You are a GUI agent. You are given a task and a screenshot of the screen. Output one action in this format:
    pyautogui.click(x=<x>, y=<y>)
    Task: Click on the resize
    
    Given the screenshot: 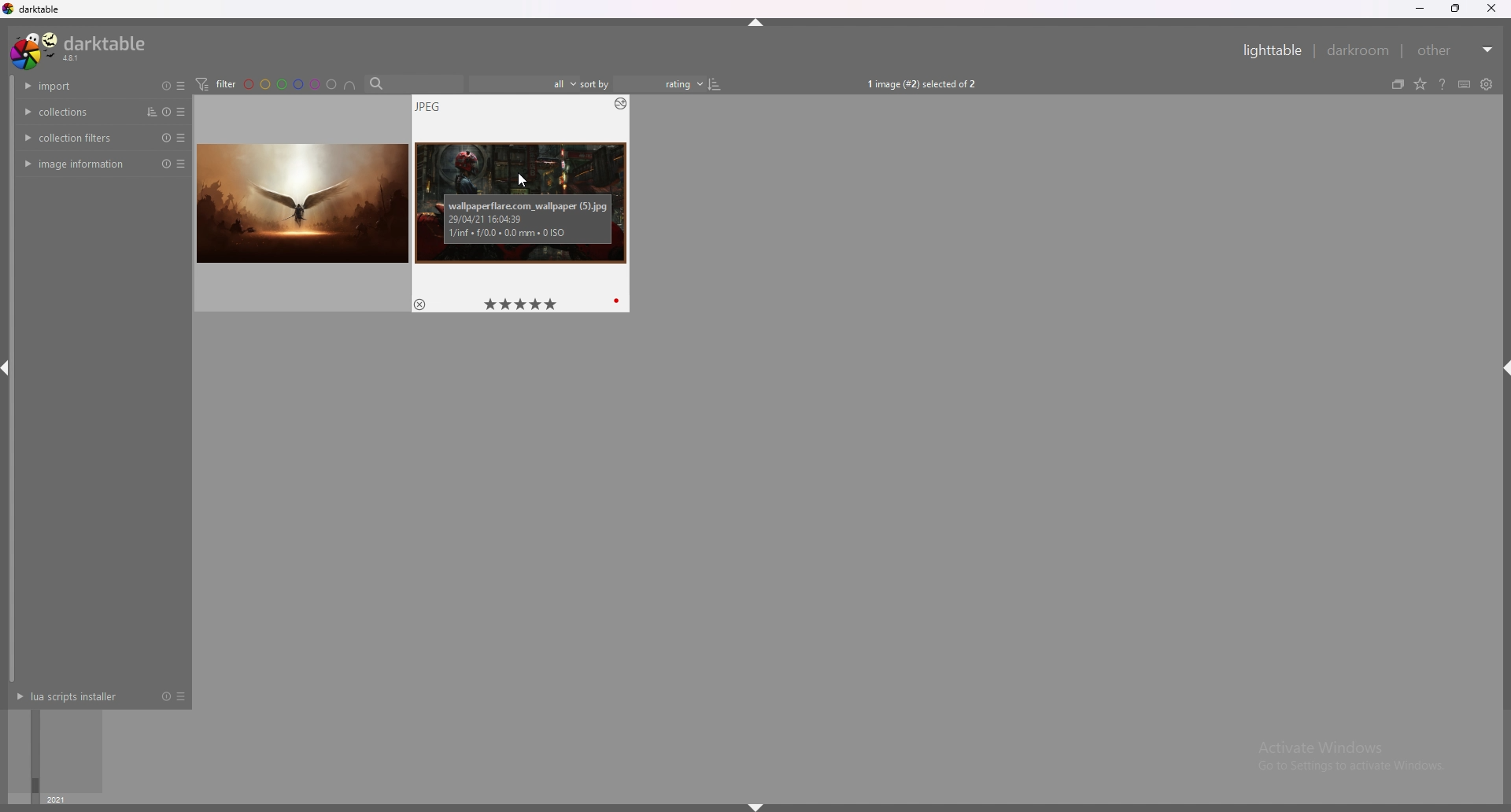 What is the action you would take?
    pyautogui.click(x=1455, y=9)
    